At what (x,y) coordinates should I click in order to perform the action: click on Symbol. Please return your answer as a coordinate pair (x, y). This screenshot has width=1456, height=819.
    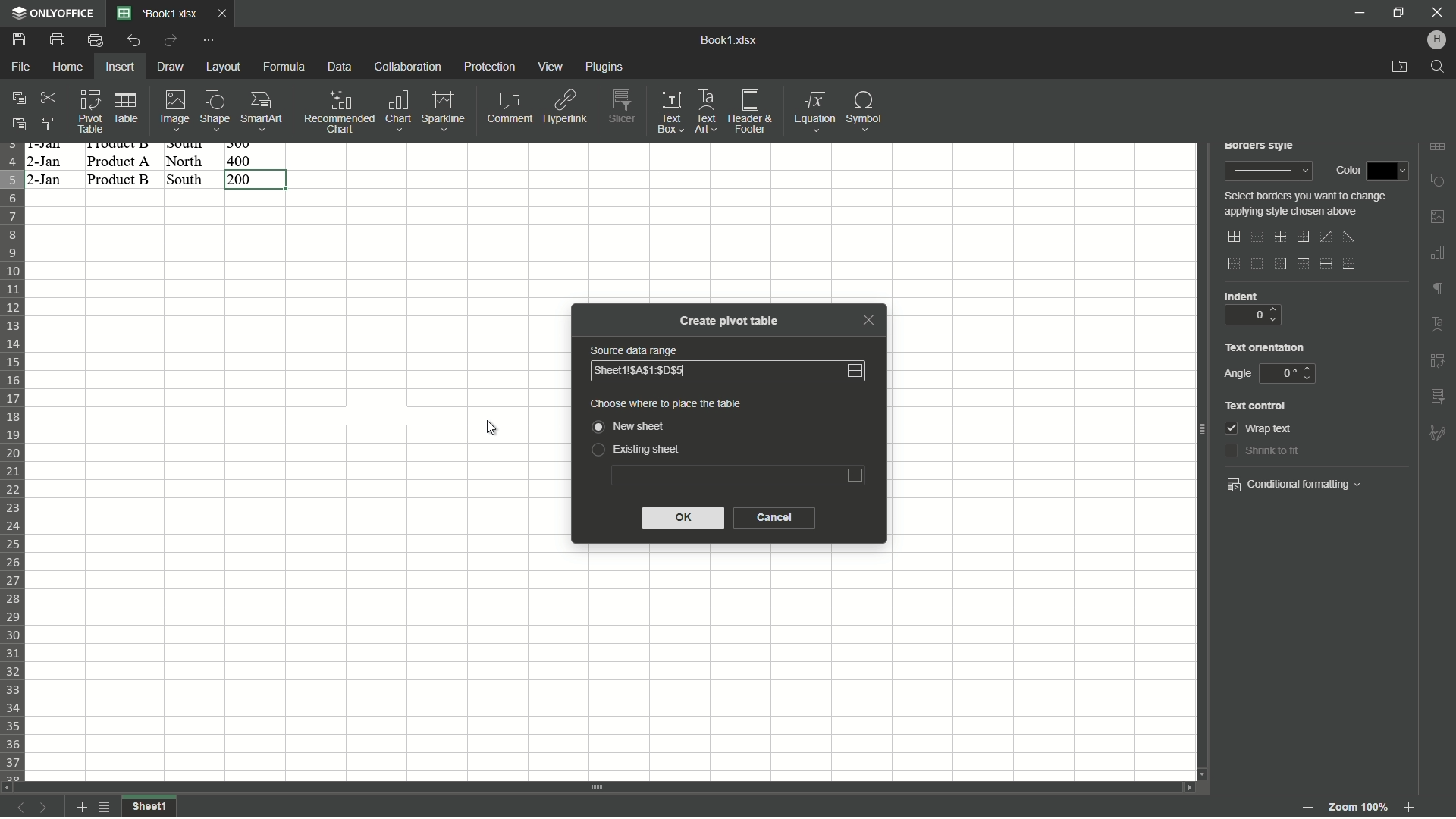
    Looking at the image, I should click on (867, 113).